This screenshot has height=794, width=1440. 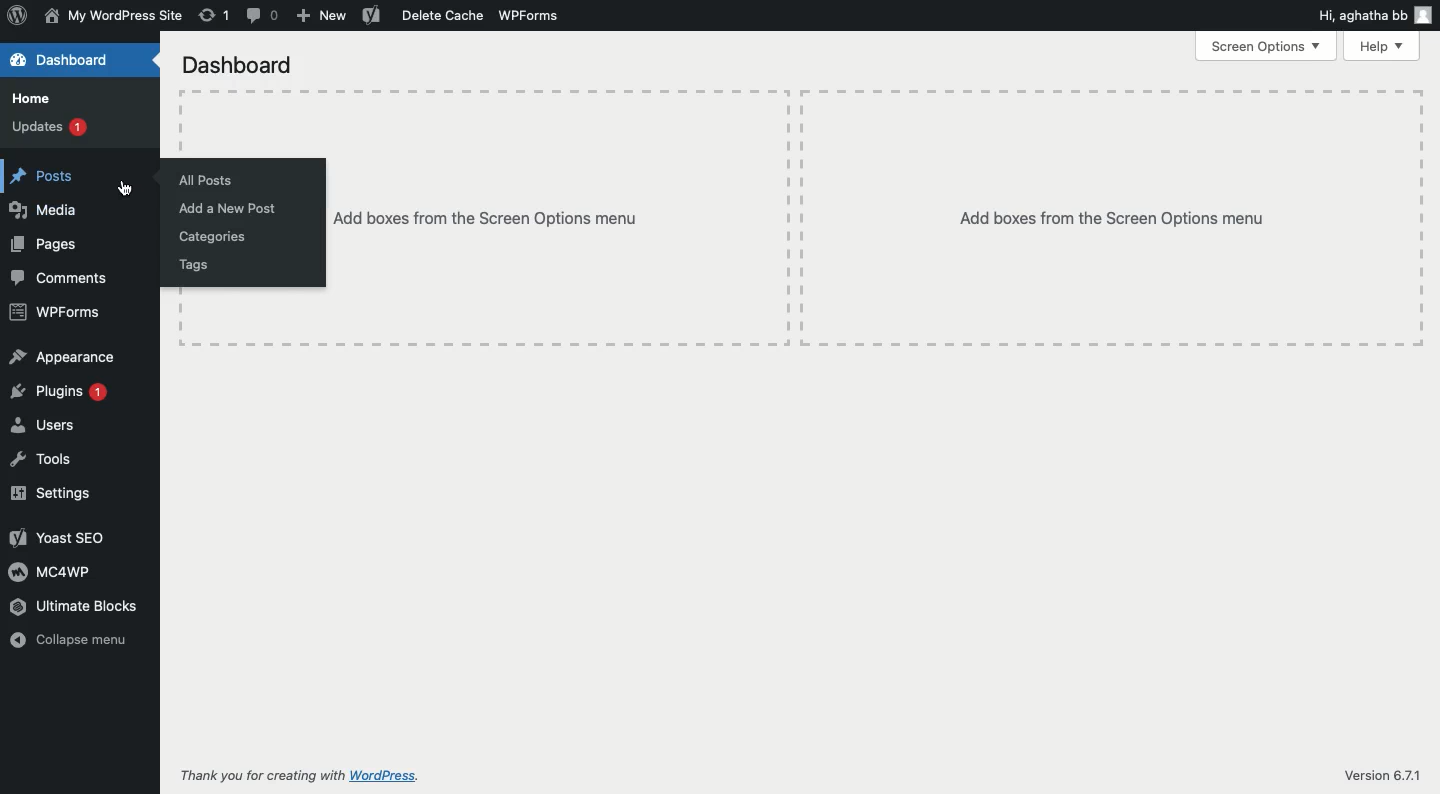 I want to click on Yoast SEO, so click(x=60, y=536).